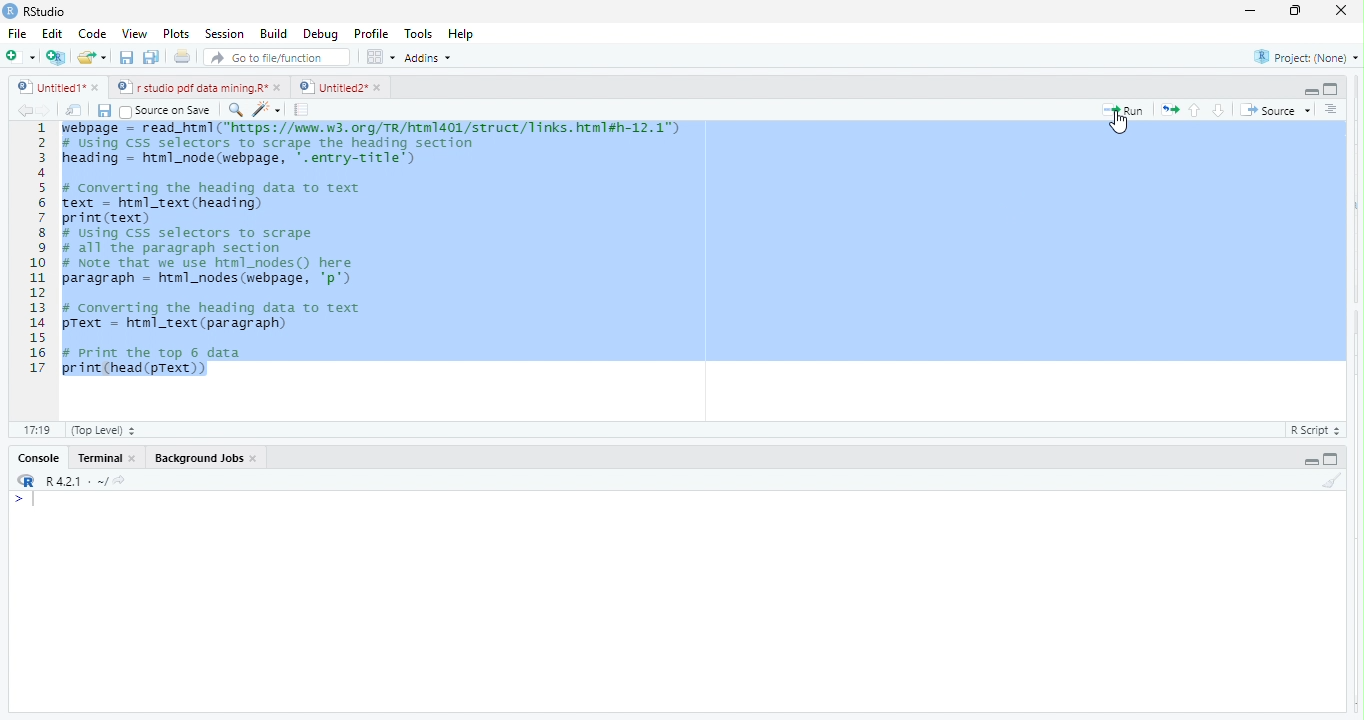 The height and width of the screenshot is (720, 1364). What do you see at coordinates (1120, 123) in the screenshot?
I see `cursor movement` at bounding box center [1120, 123].